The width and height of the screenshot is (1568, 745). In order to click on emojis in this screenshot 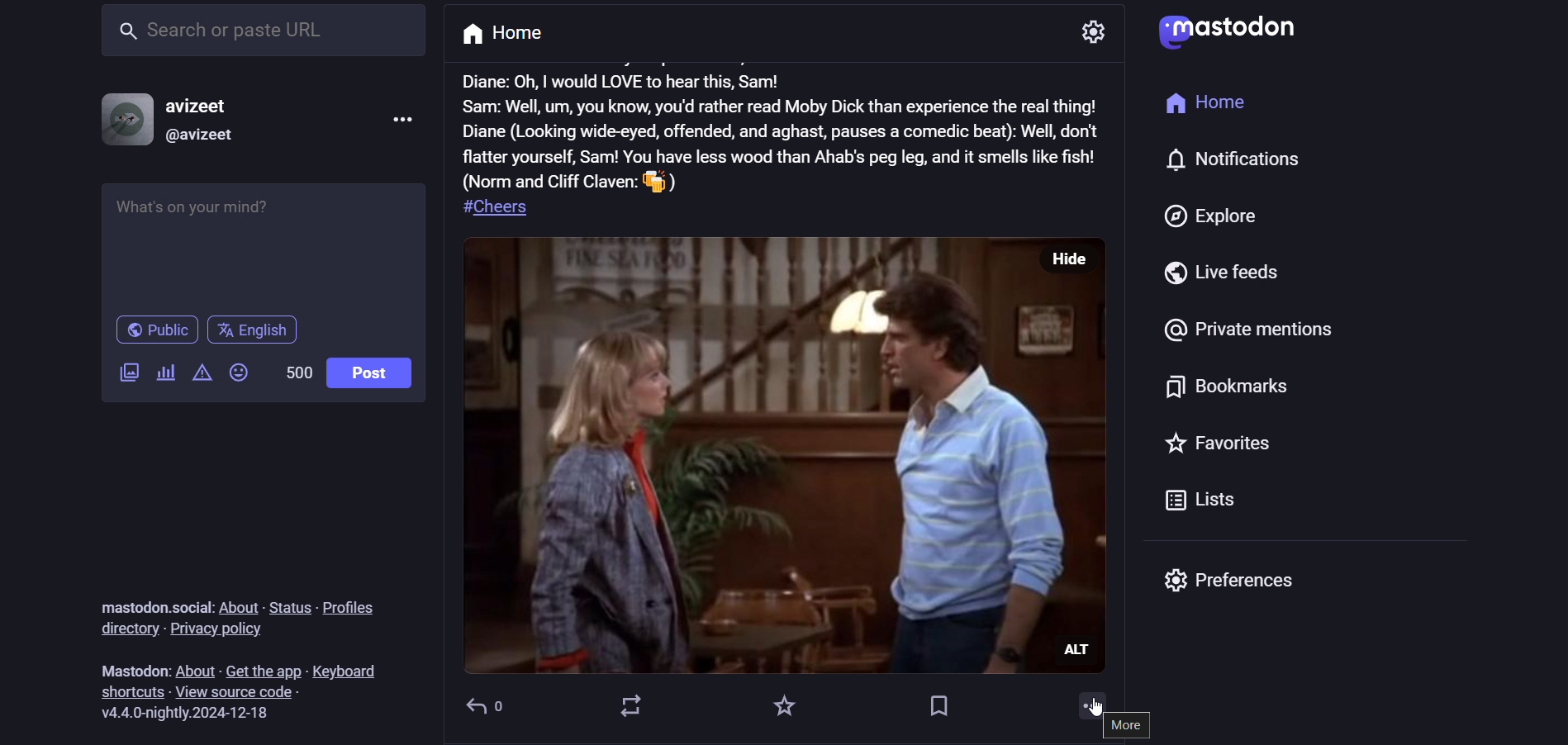, I will do `click(242, 375)`.